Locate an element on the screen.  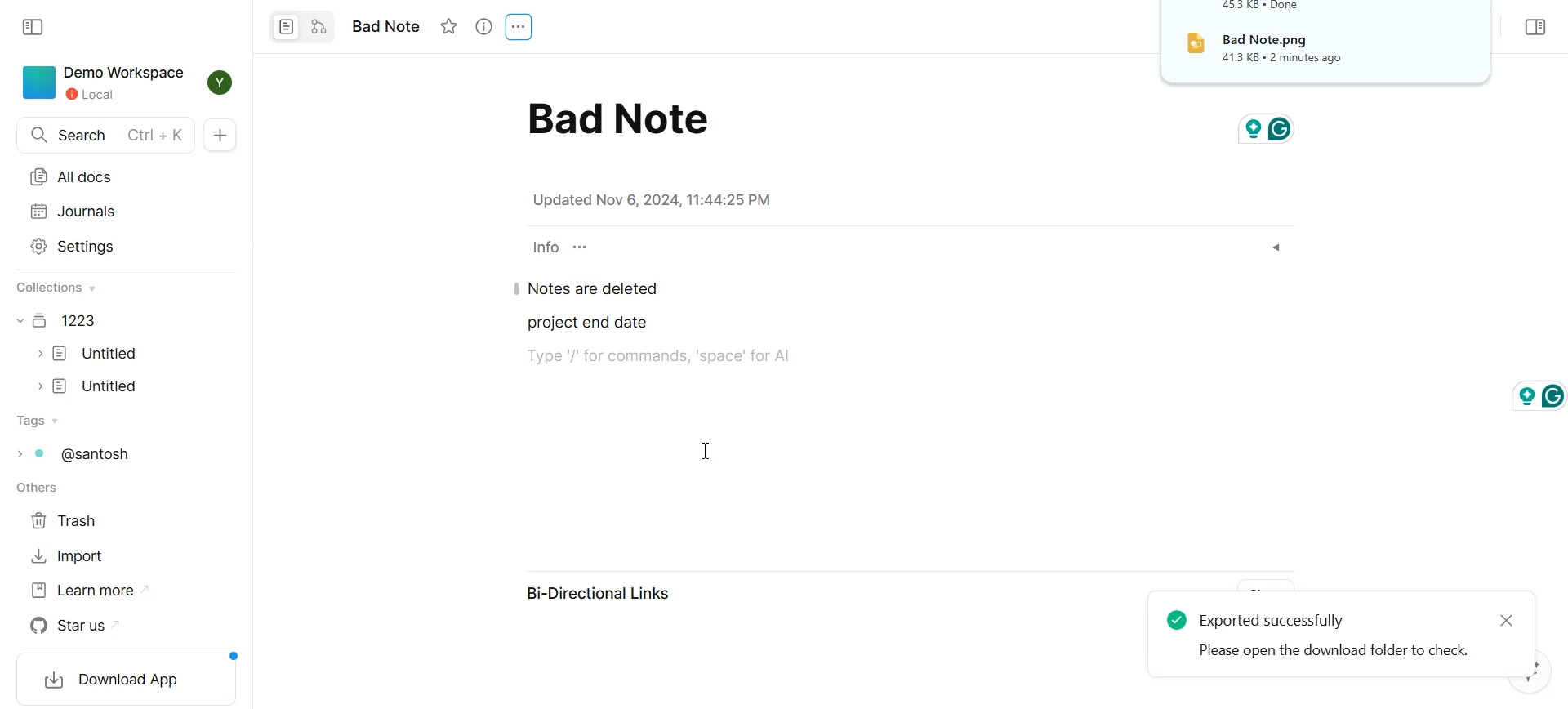
Notes are deleted is located at coordinates (592, 290).